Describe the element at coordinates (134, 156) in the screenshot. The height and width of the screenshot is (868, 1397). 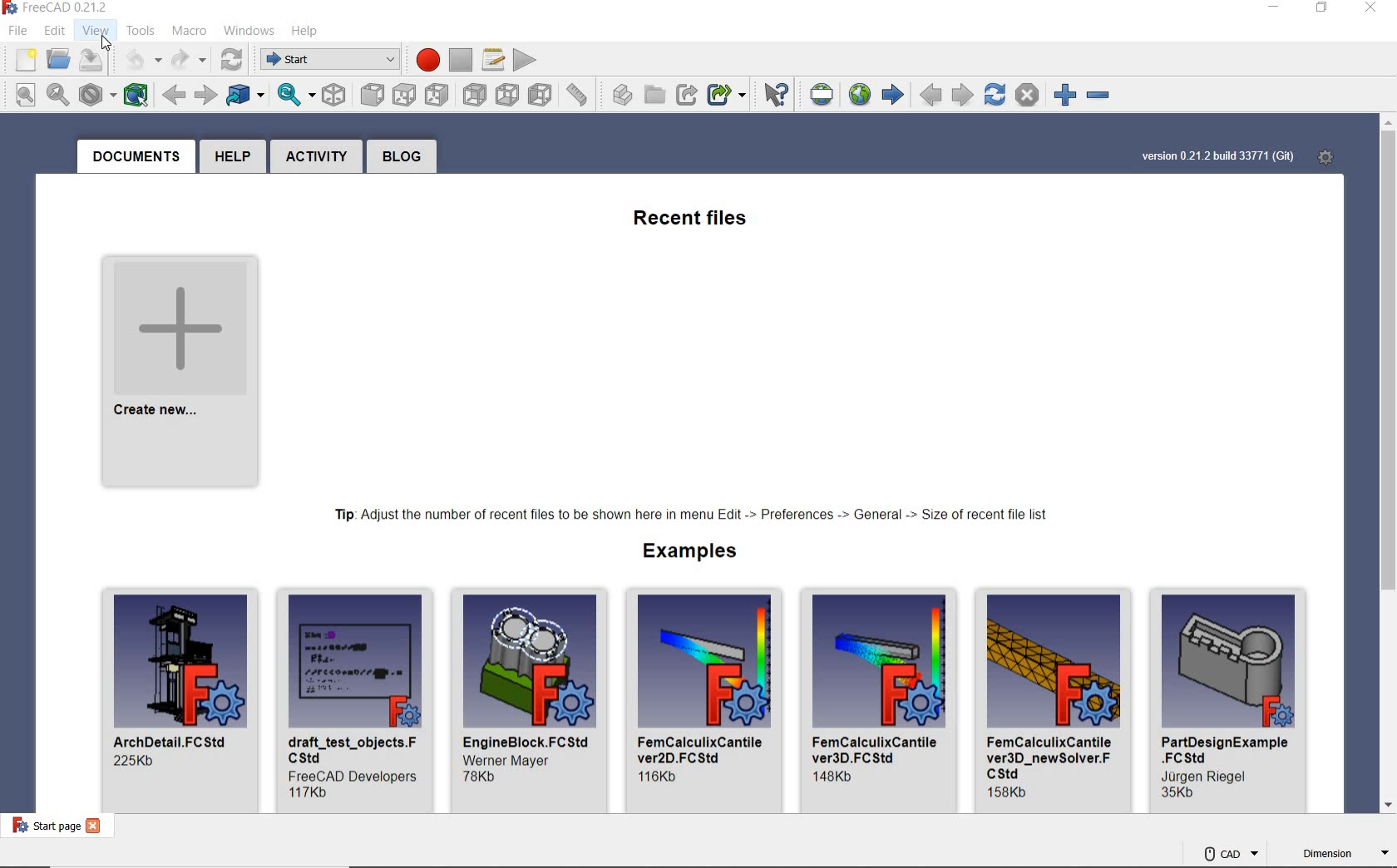
I see `documents` at that location.